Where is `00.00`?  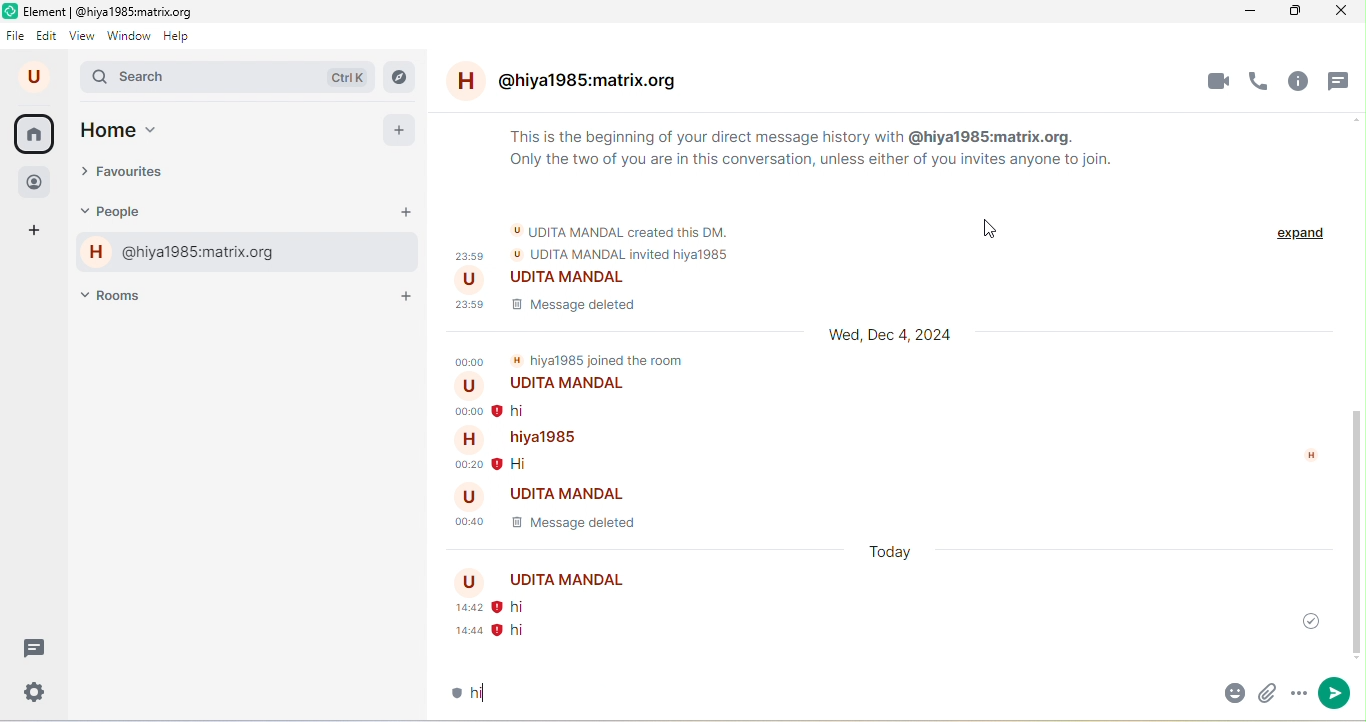 00.00 is located at coordinates (465, 409).